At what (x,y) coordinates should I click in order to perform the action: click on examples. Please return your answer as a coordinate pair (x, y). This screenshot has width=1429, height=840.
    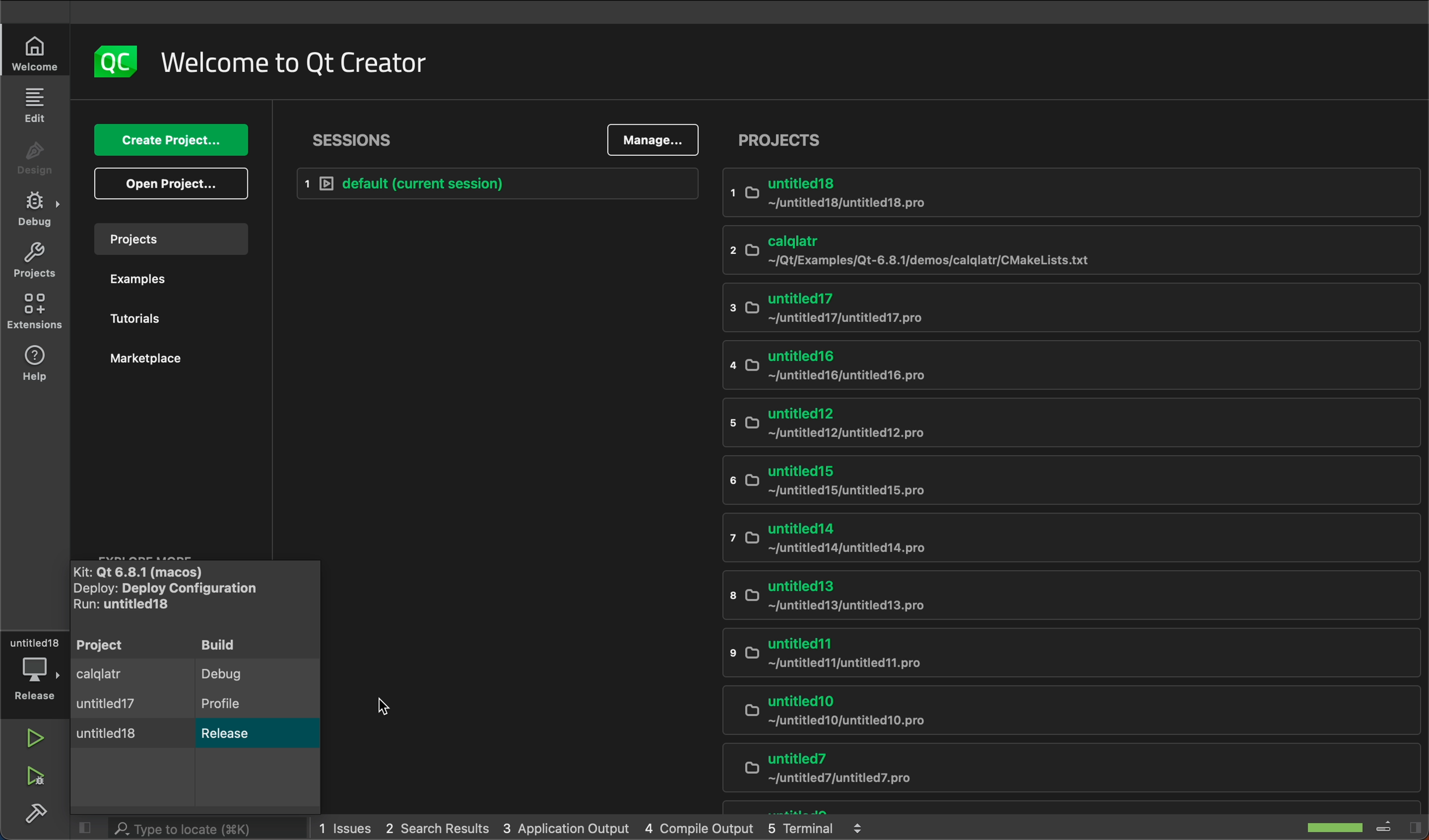
    Looking at the image, I should click on (168, 282).